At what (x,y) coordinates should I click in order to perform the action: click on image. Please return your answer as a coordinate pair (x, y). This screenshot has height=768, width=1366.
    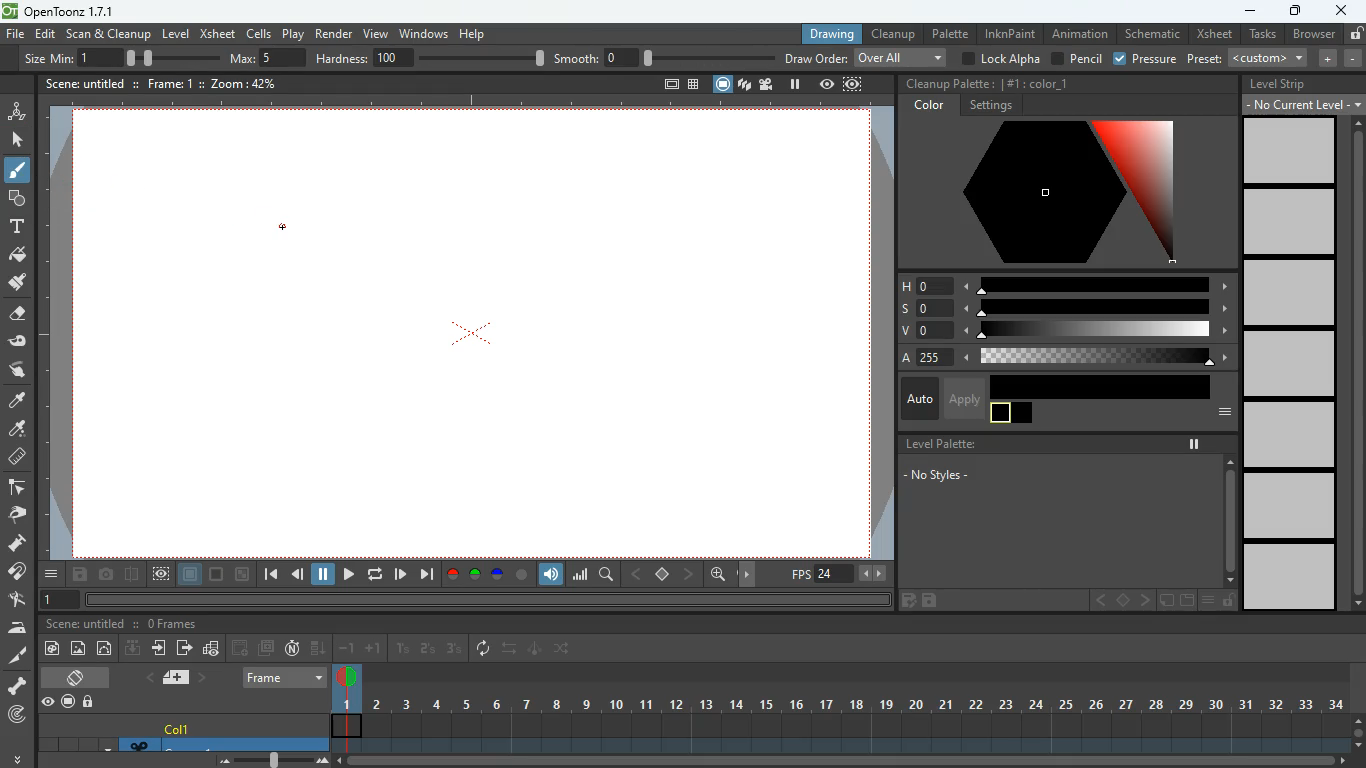
    Looking at the image, I should click on (276, 759).